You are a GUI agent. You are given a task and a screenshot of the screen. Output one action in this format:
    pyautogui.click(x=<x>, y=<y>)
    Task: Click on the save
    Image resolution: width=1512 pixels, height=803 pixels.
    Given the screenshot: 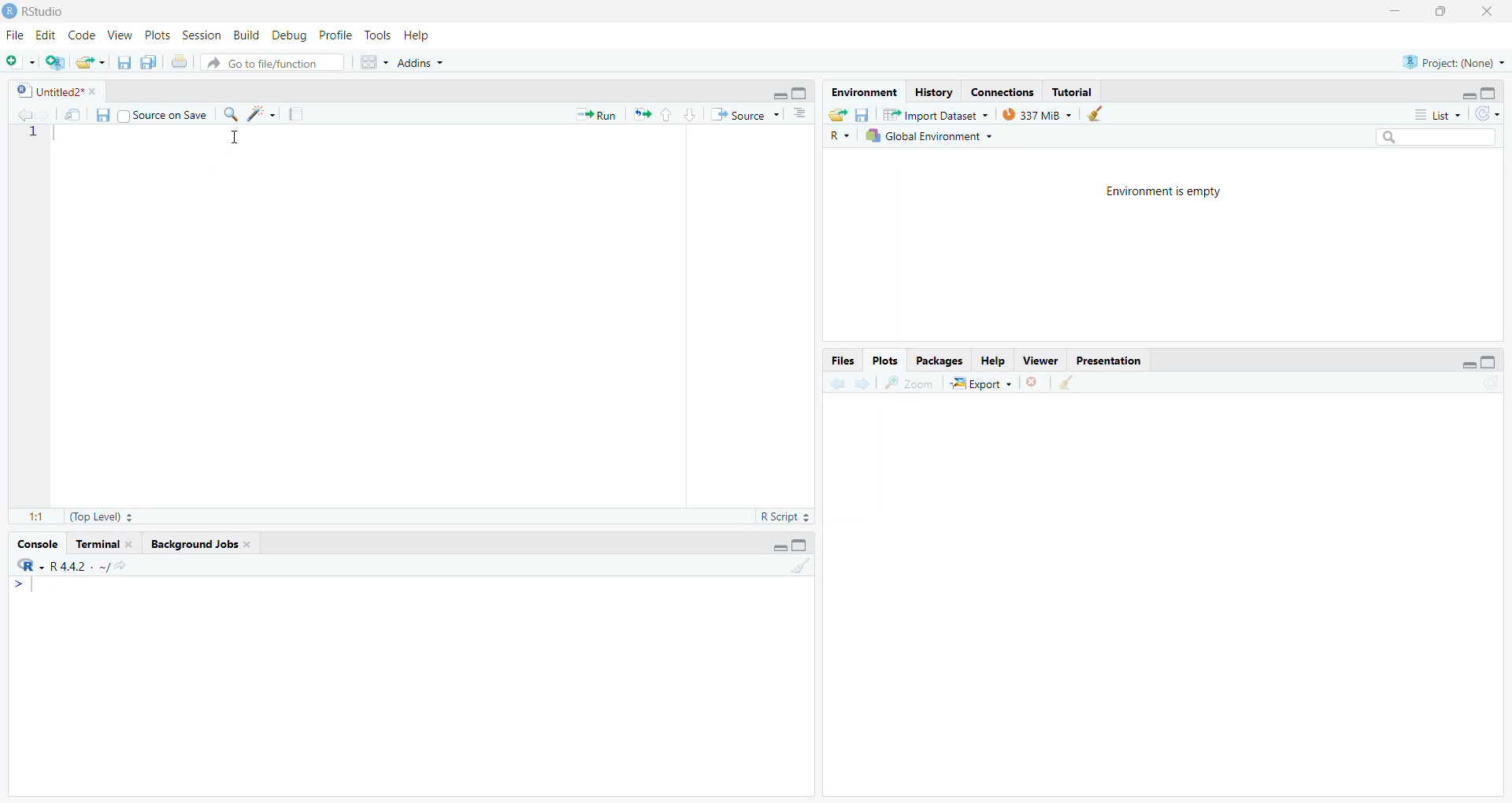 What is the action you would take?
    pyautogui.click(x=862, y=114)
    